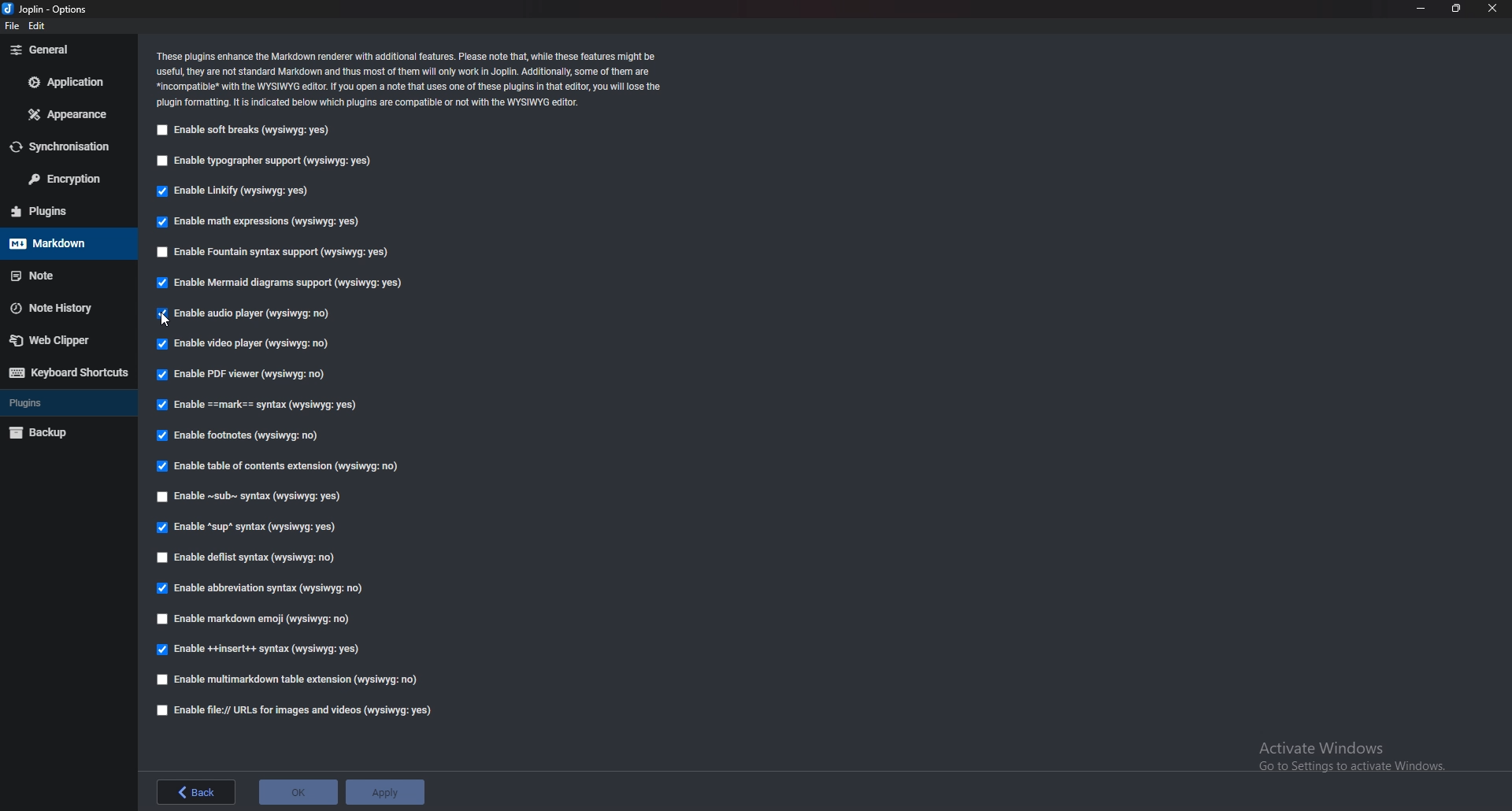 This screenshot has height=811, width=1512. Describe the element at coordinates (69, 307) in the screenshot. I see `Note history` at that location.